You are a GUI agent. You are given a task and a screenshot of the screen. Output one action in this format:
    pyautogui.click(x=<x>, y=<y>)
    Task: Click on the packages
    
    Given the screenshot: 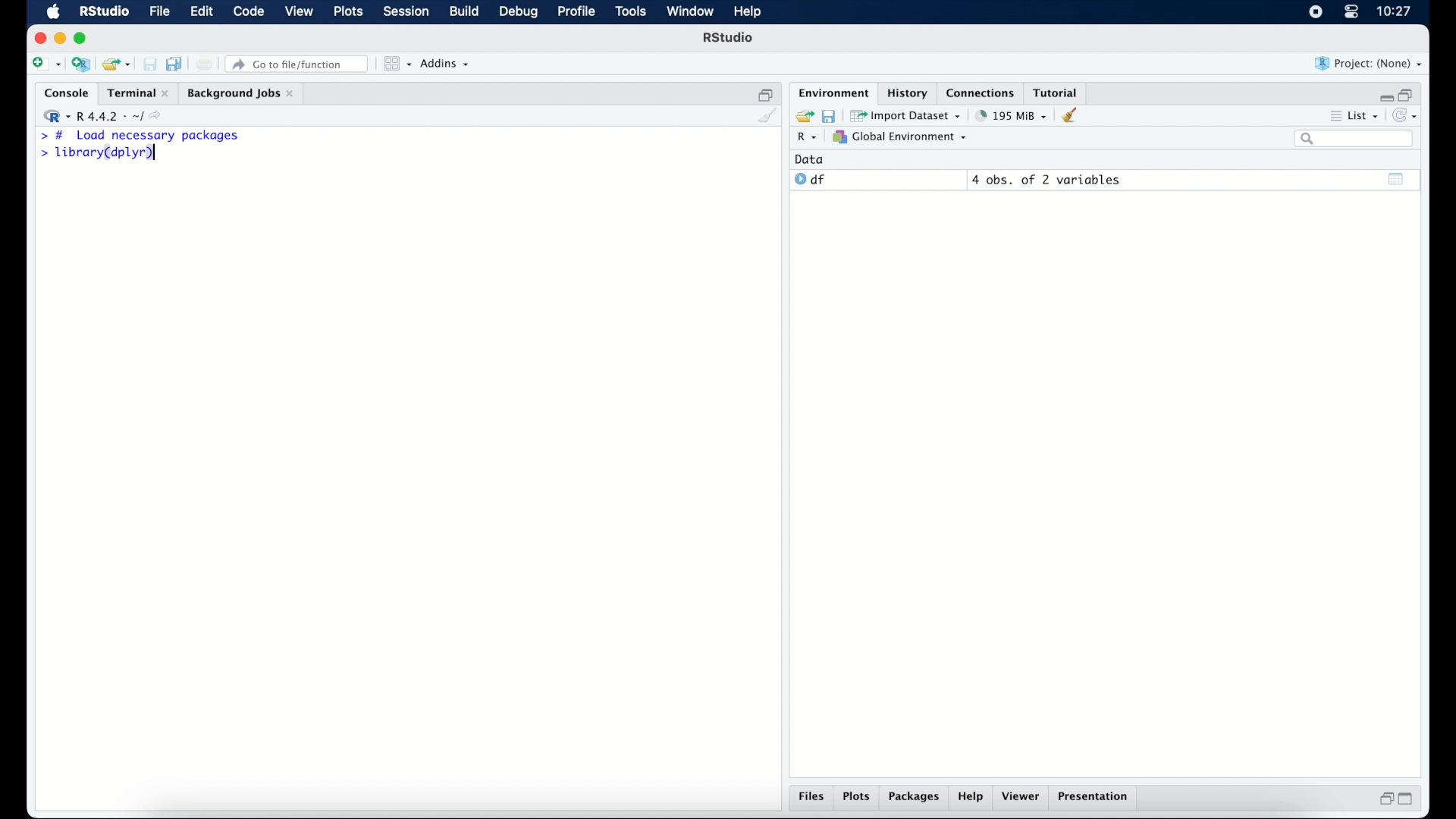 What is the action you would take?
    pyautogui.click(x=915, y=799)
    